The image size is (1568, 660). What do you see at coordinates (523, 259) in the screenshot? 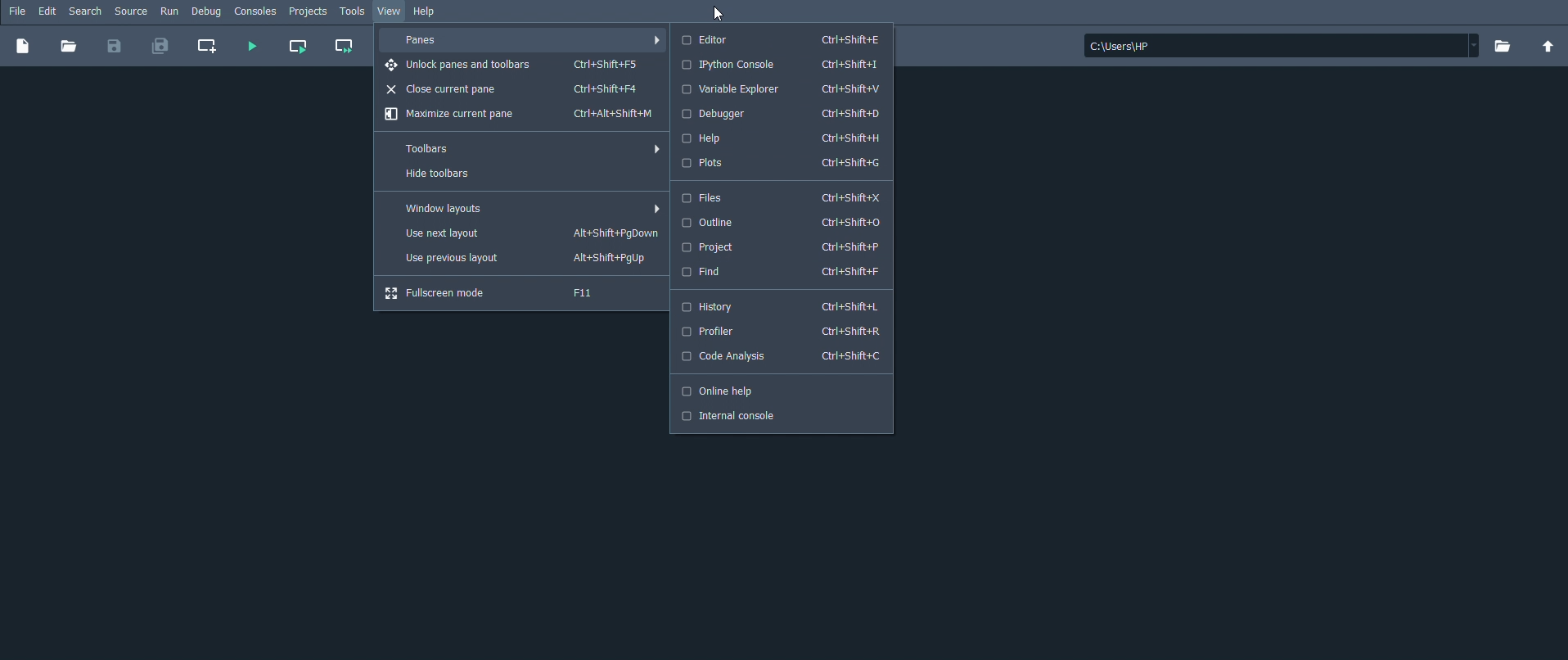
I see `Use previous layout` at bounding box center [523, 259].